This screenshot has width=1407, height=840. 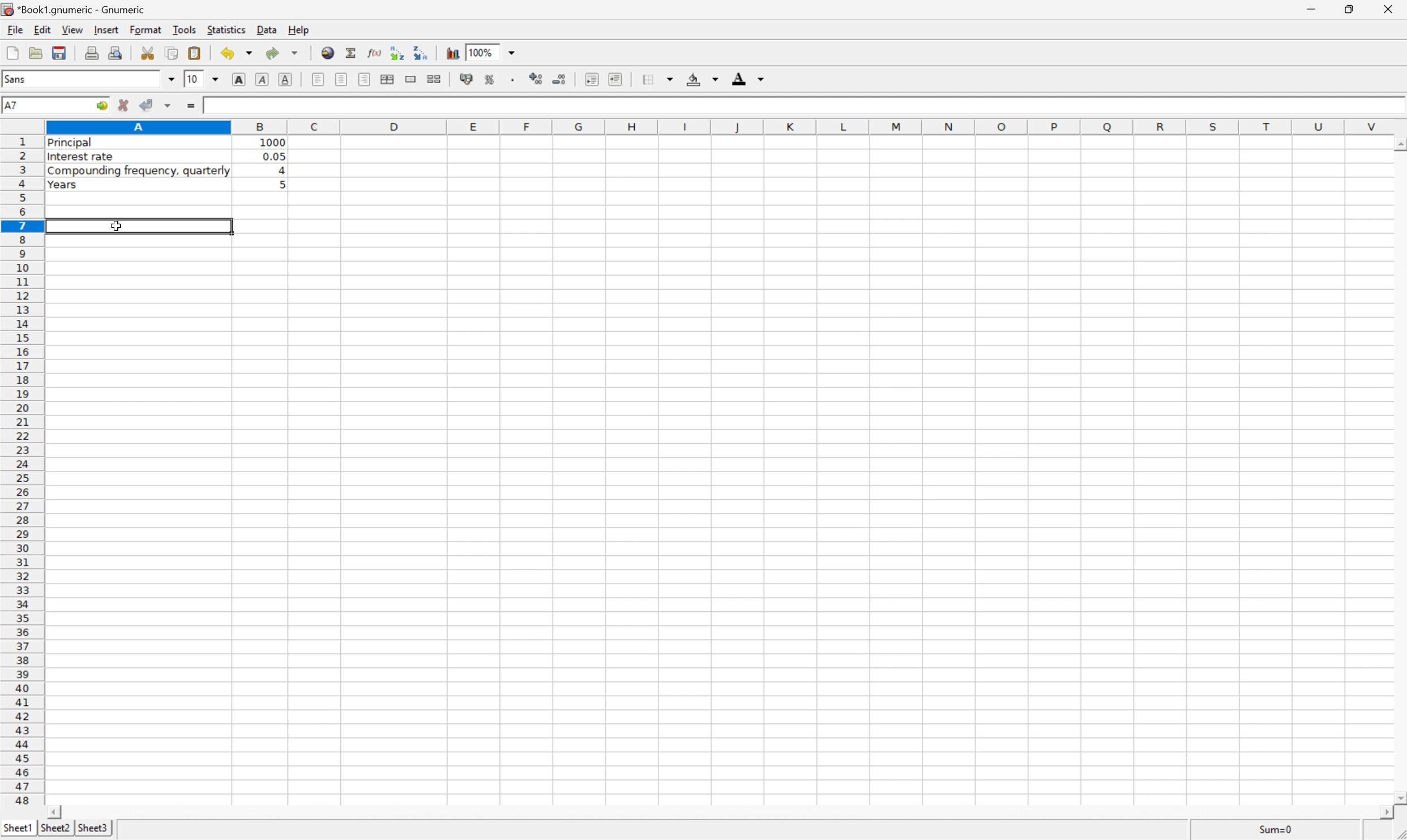 What do you see at coordinates (227, 29) in the screenshot?
I see `statistics` at bounding box center [227, 29].